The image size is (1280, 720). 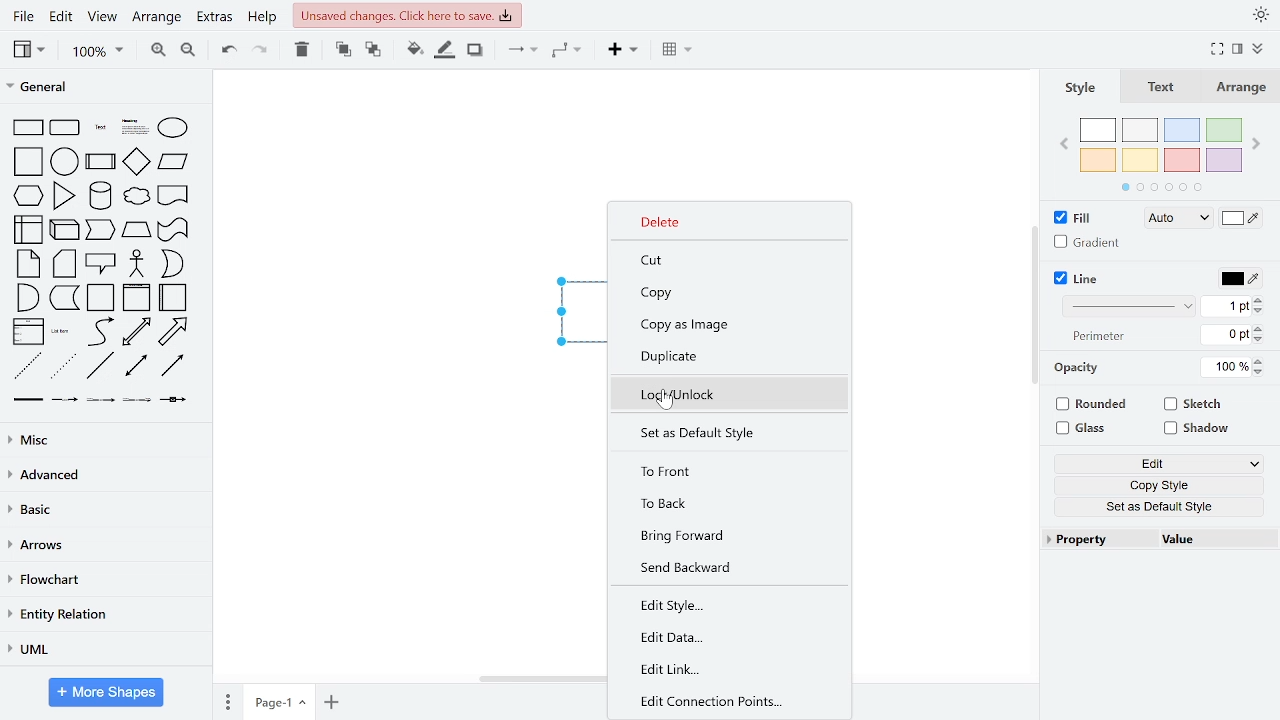 What do you see at coordinates (567, 51) in the screenshot?
I see `waypoints` at bounding box center [567, 51].